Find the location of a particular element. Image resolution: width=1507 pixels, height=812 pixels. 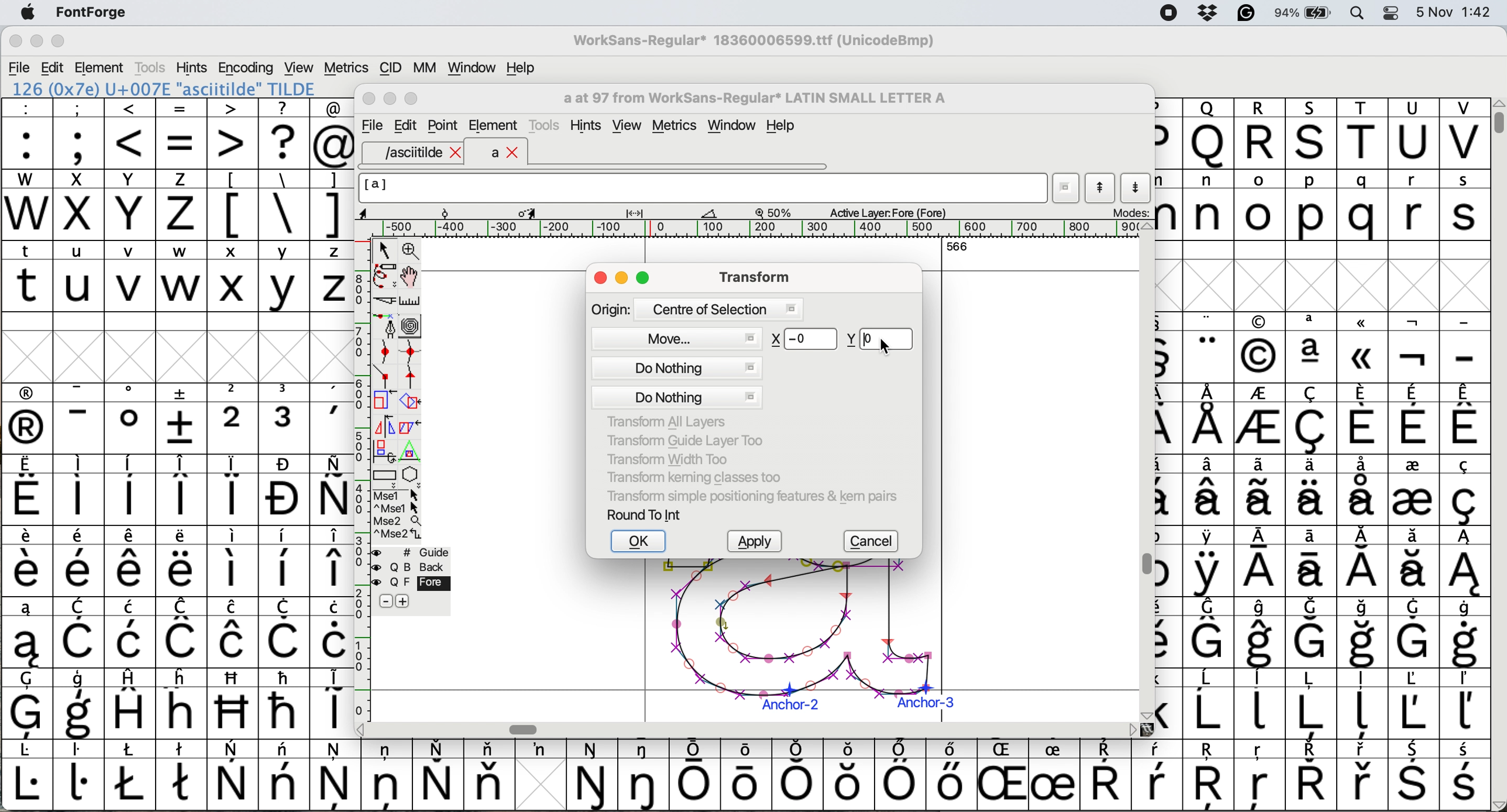

symbol is located at coordinates (900, 775).